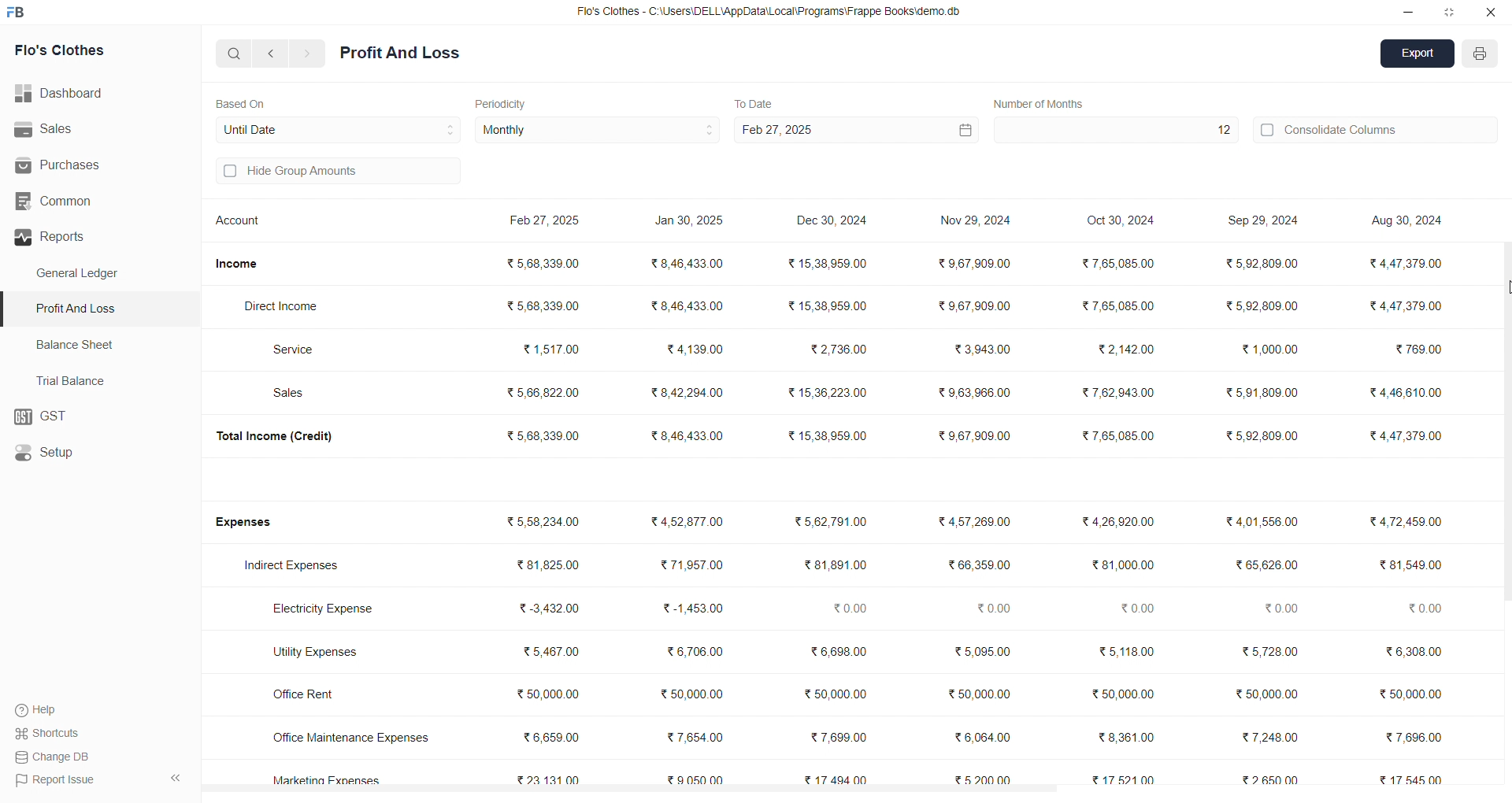 Image resolution: width=1512 pixels, height=803 pixels. What do you see at coordinates (242, 223) in the screenshot?
I see `Account` at bounding box center [242, 223].